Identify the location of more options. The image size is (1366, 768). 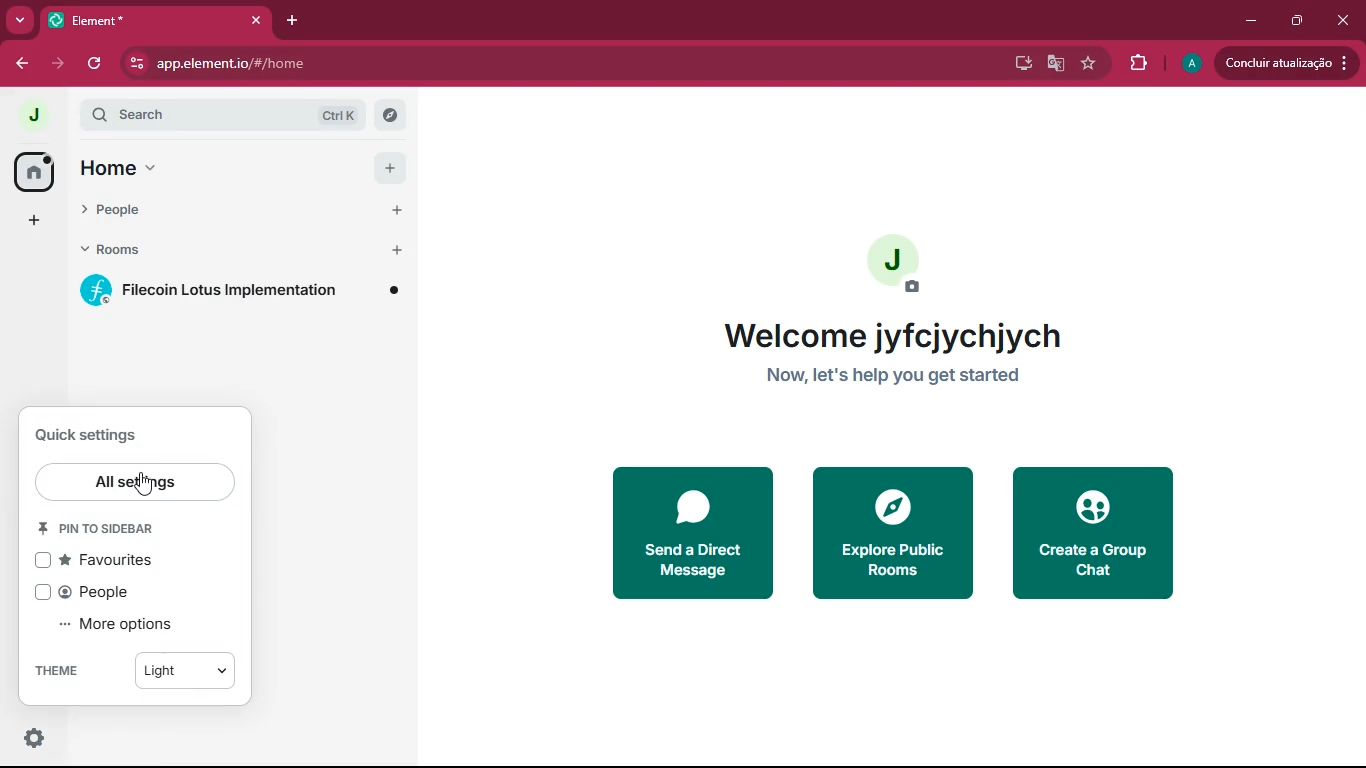
(144, 624).